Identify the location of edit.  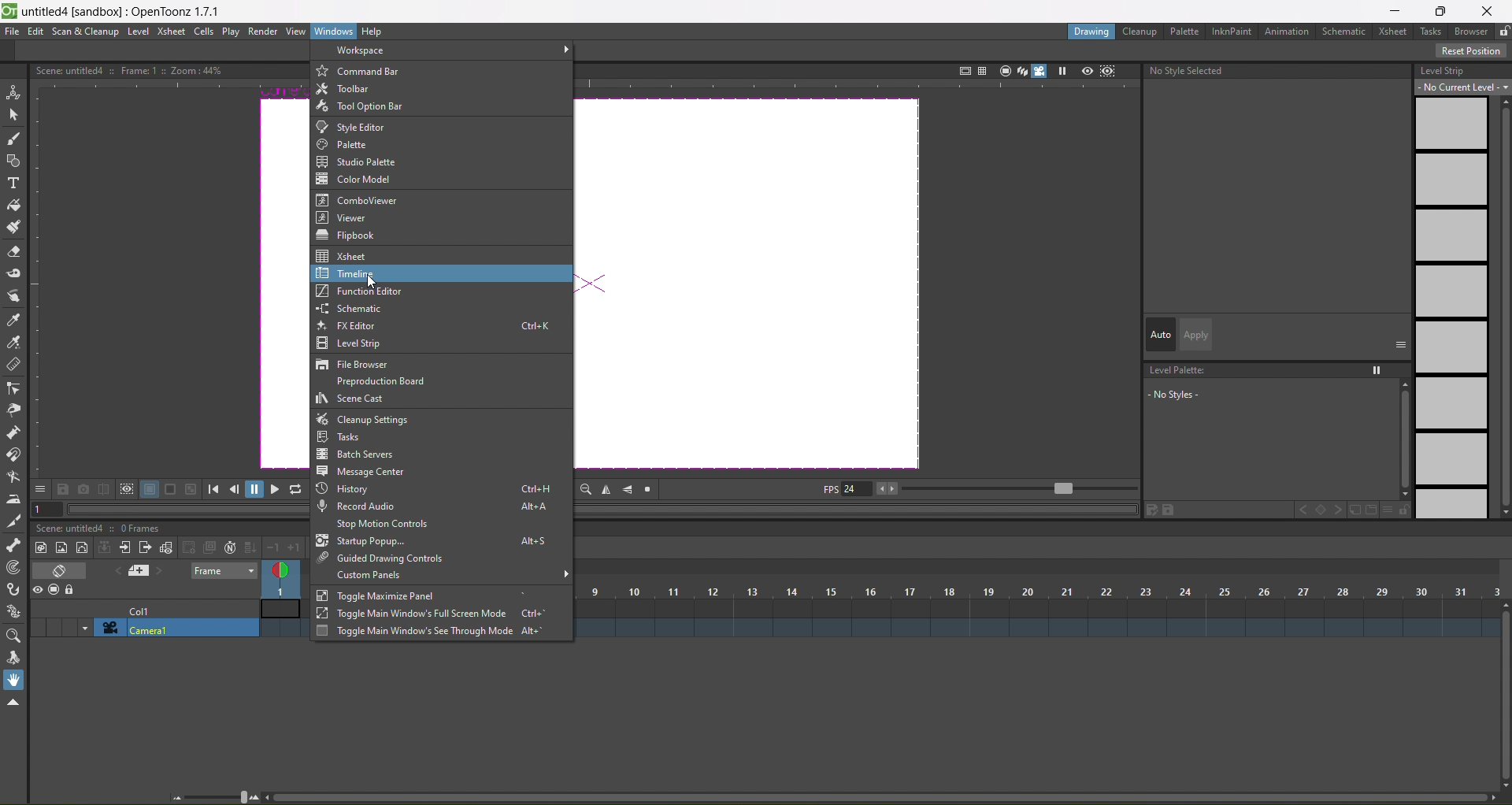
(35, 32).